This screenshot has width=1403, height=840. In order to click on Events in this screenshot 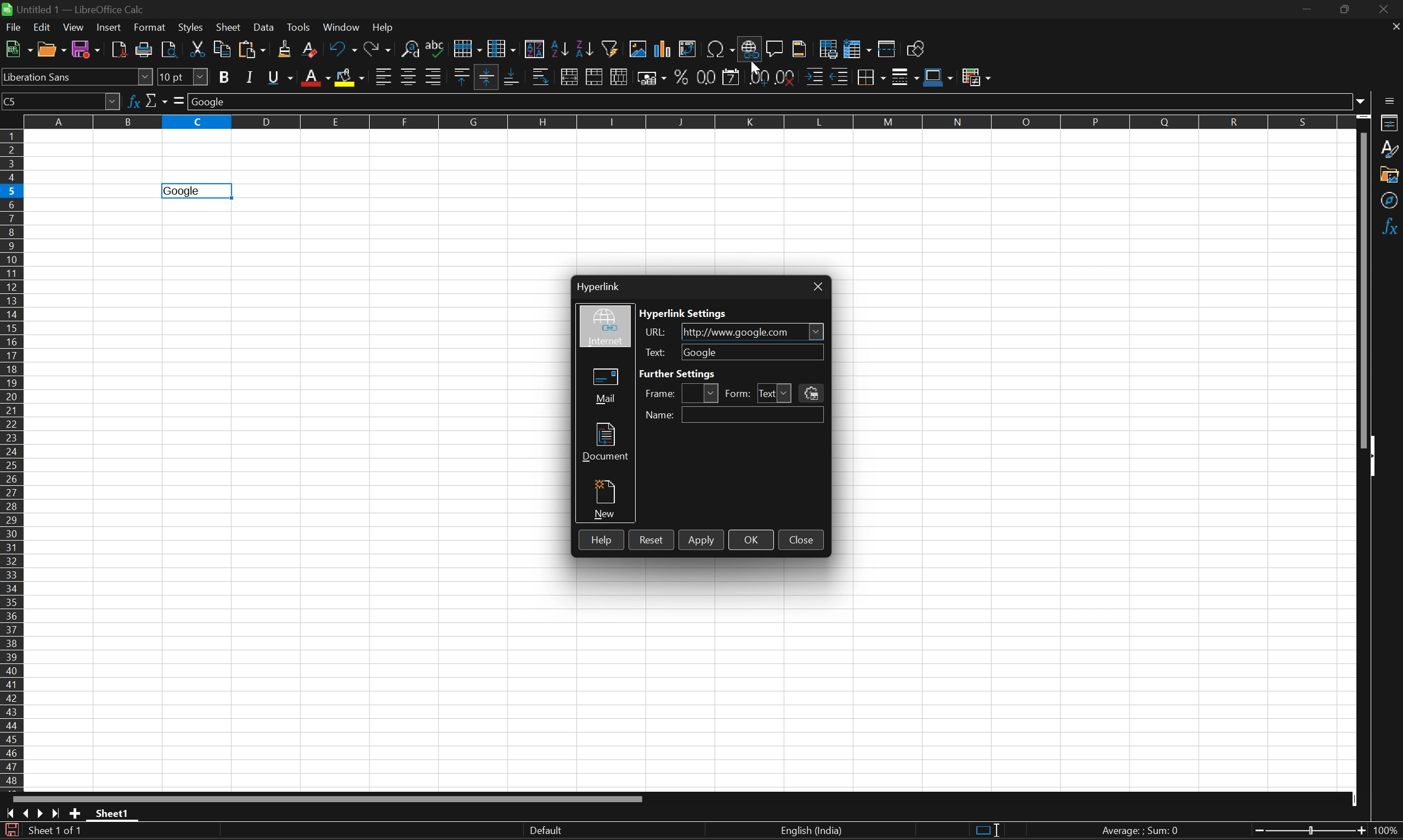, I will do `click(811, 393)`.